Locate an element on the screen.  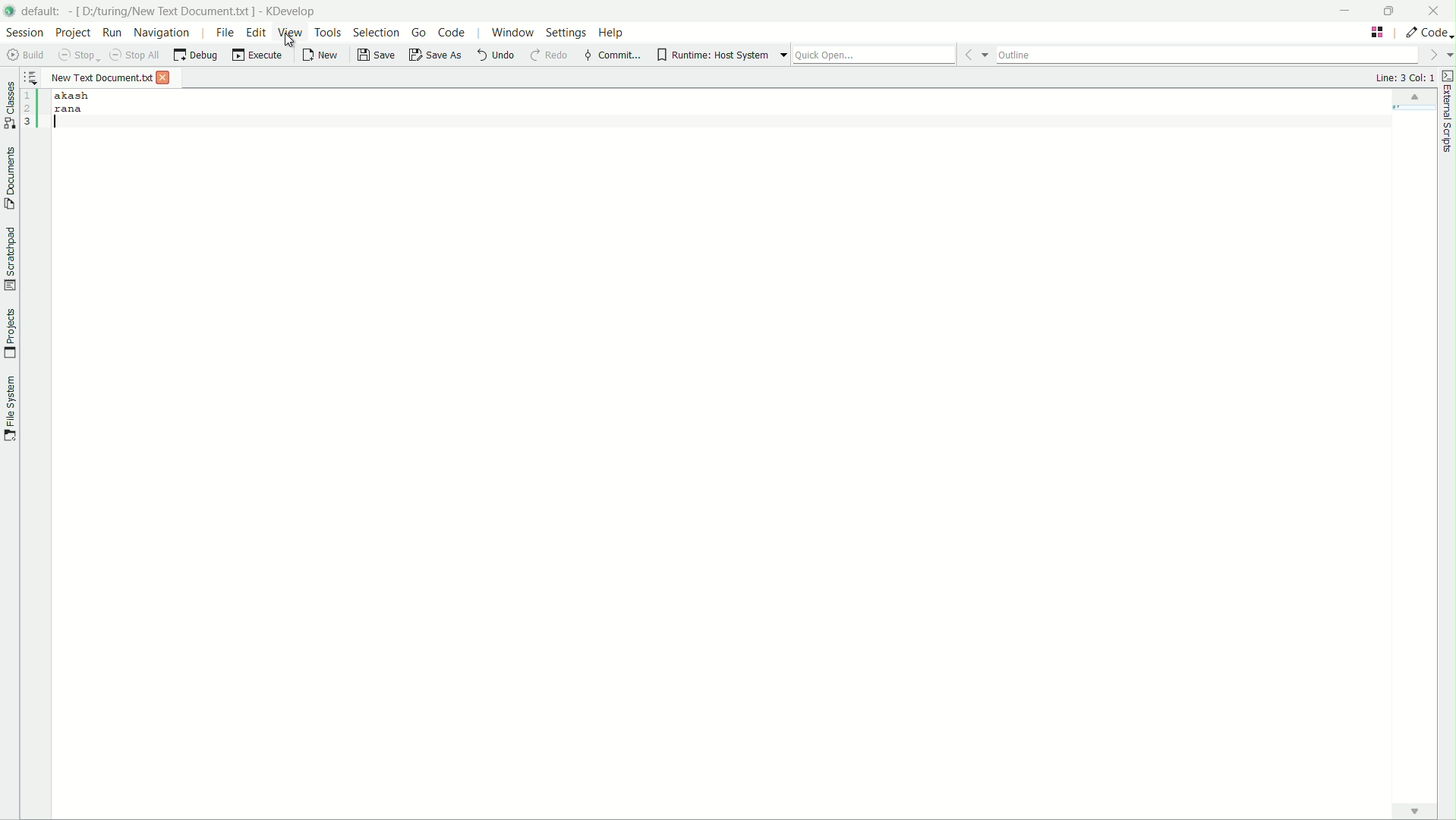
close is located at coordinates (1438, 10).